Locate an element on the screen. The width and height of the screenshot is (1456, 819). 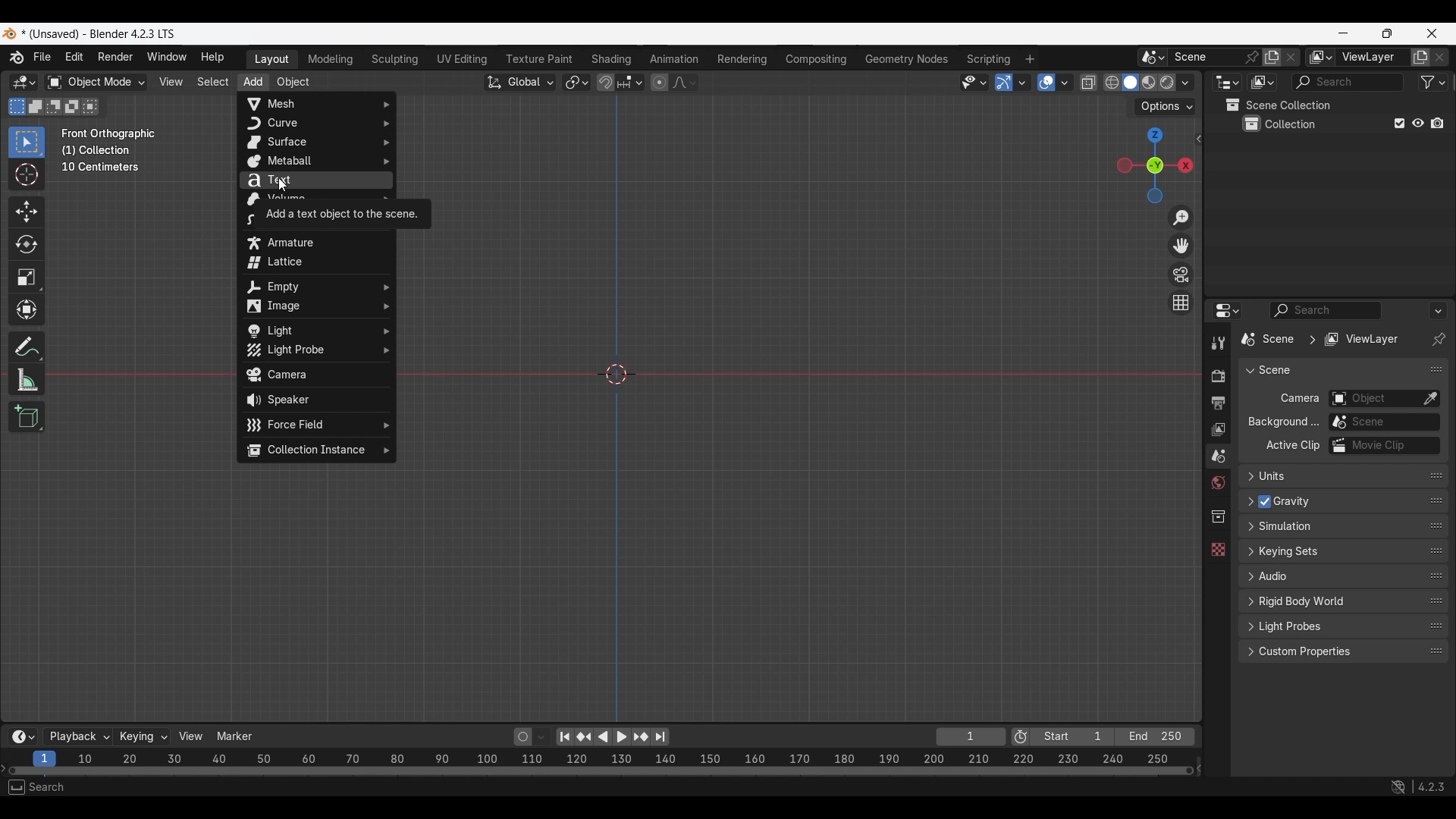
Select menu is located at coordinates (213, 83).